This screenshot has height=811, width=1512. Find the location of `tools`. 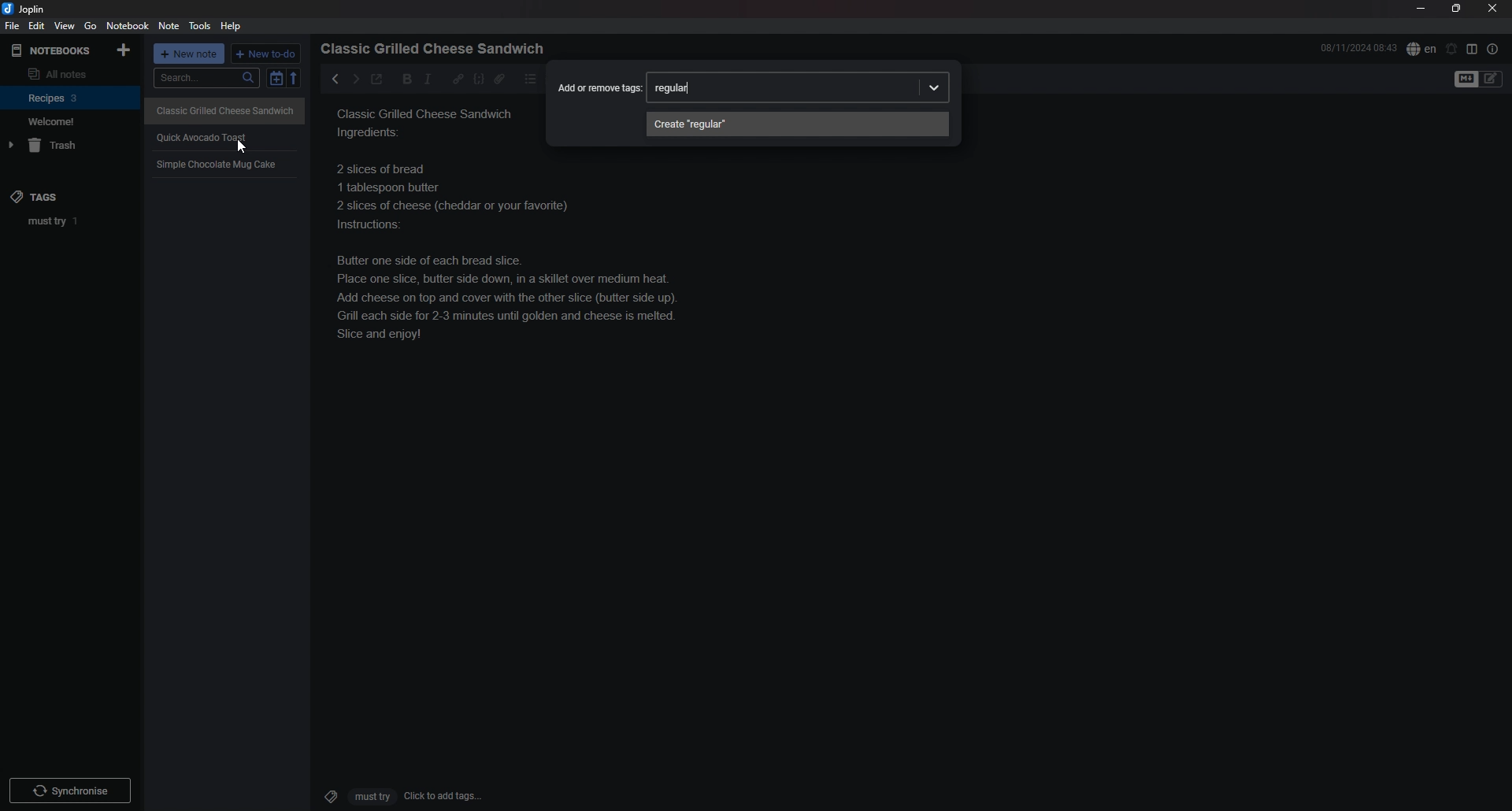

tools is located at coordinates (202, 26).